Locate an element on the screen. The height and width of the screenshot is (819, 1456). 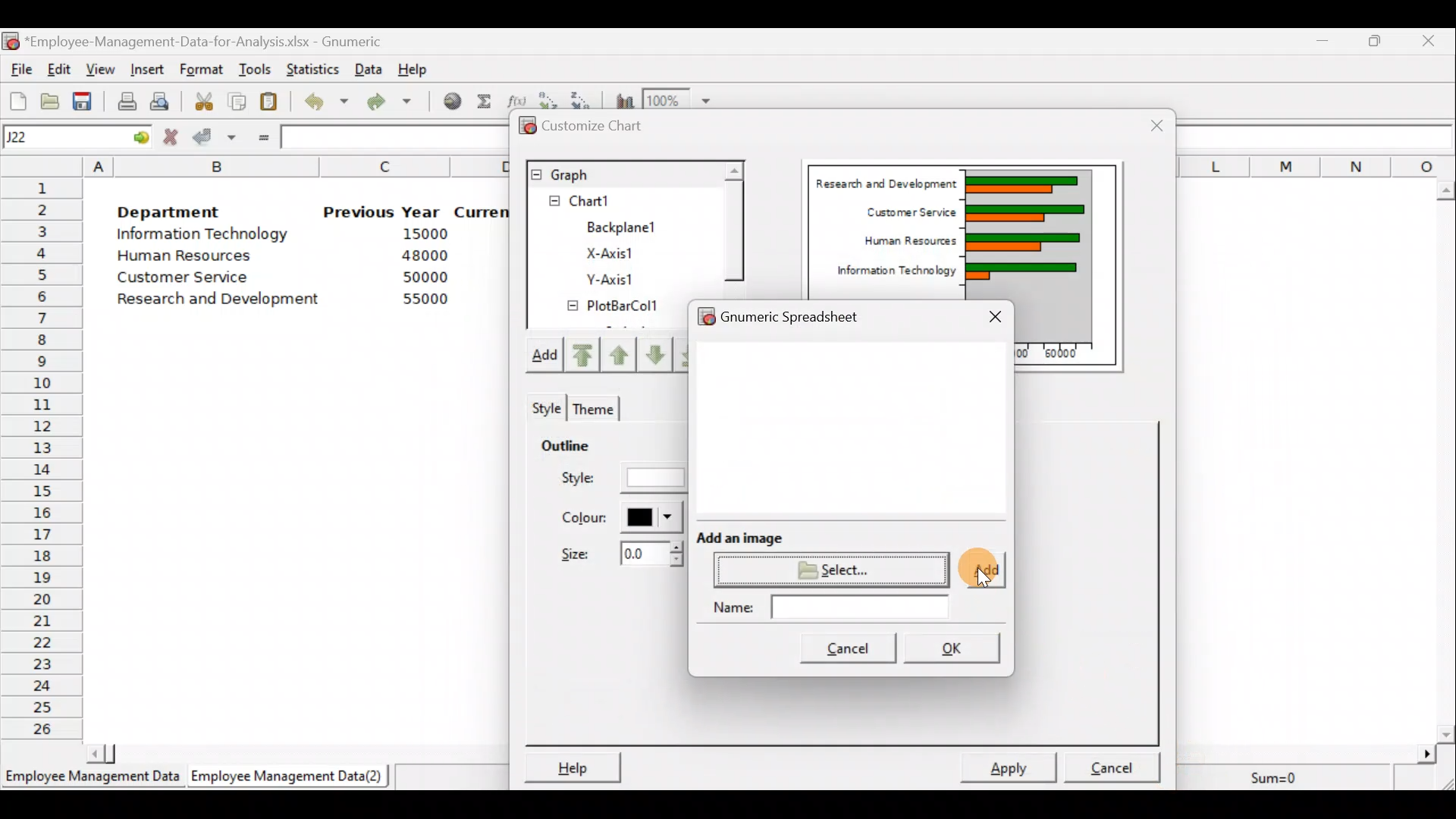
Chart Preview is located at coordinates (1025, 226).